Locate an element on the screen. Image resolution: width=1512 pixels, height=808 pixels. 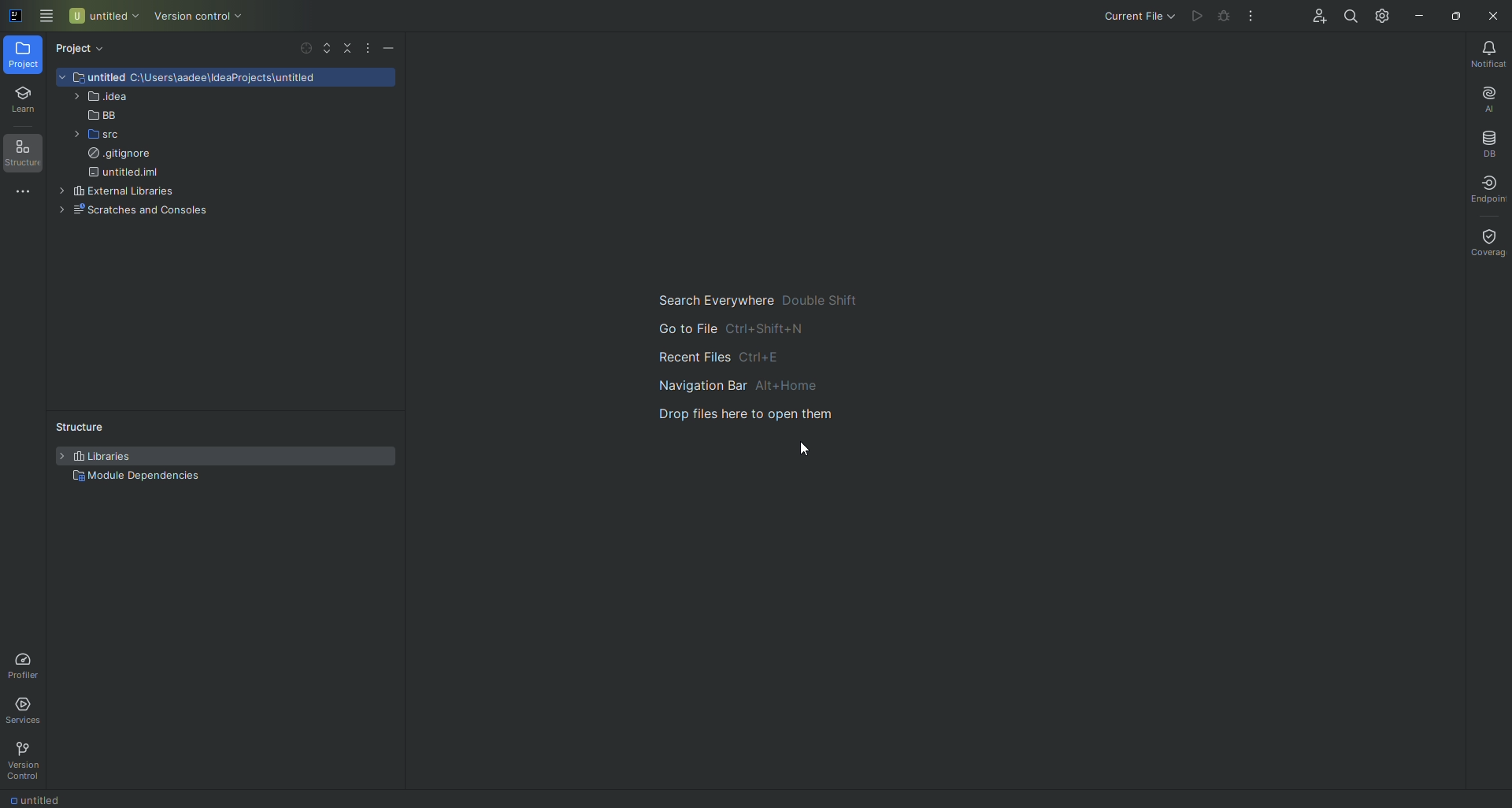
Search is located at coordinates (1347, 17).